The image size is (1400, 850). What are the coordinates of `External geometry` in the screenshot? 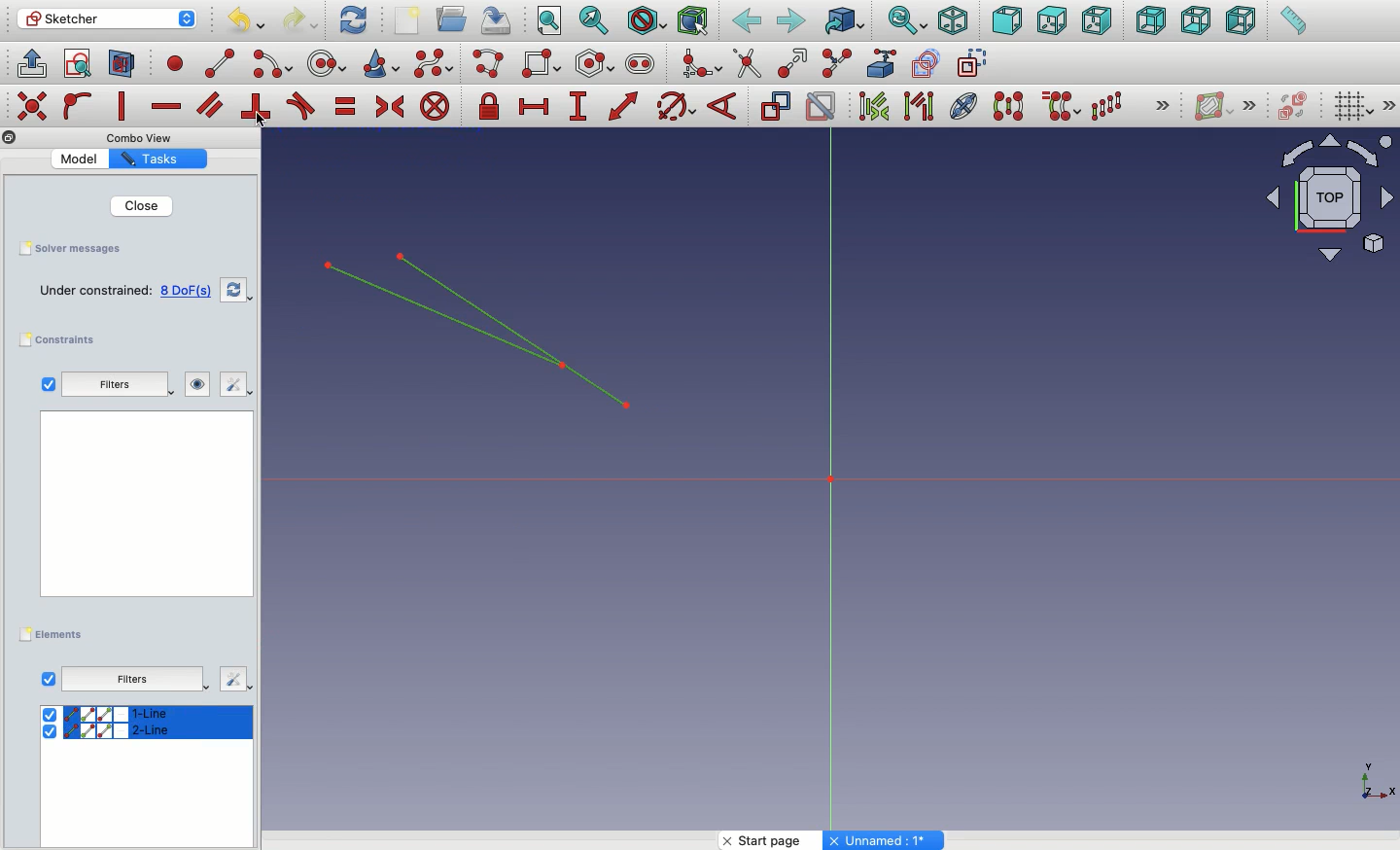 It's located at (879, 62).